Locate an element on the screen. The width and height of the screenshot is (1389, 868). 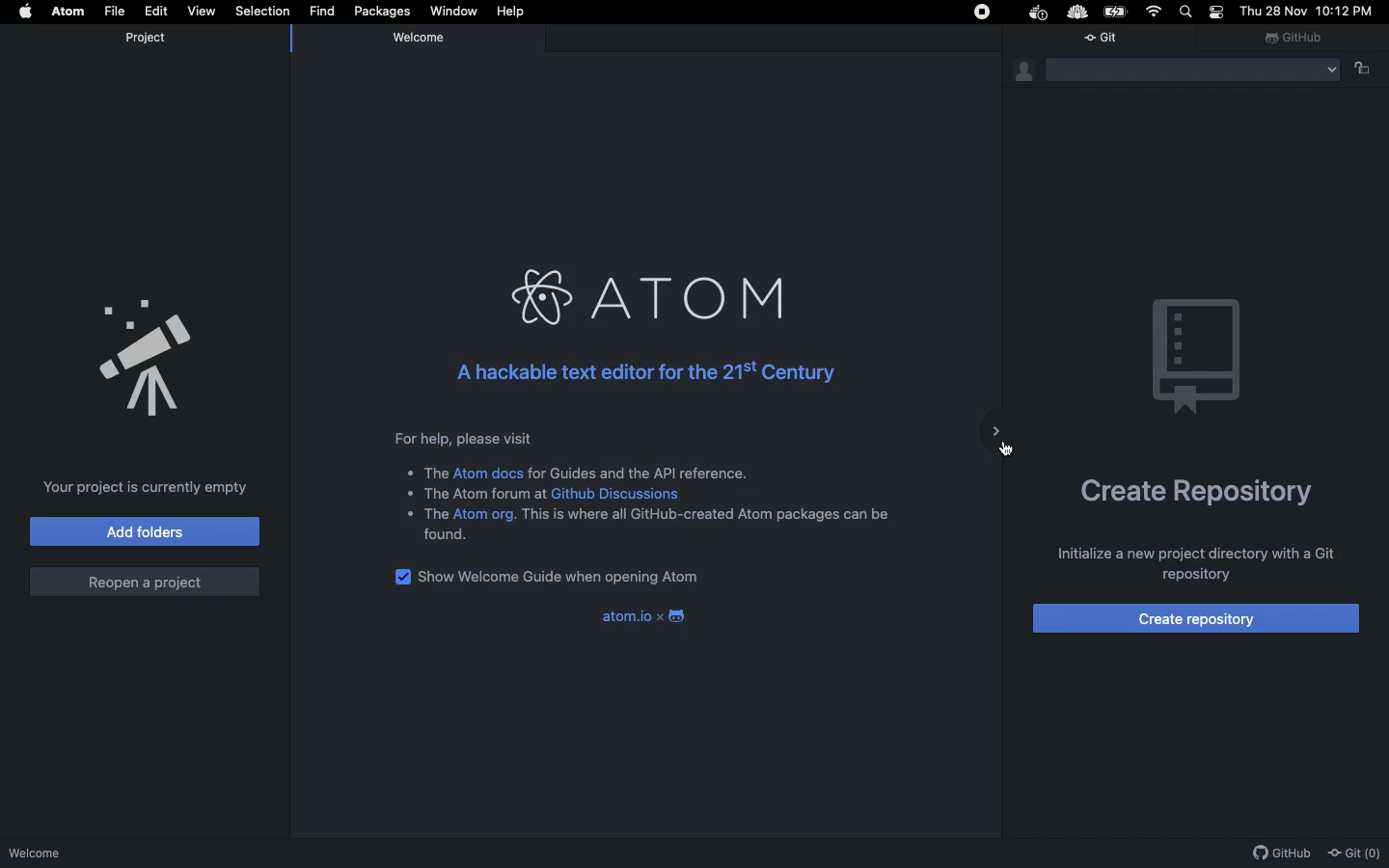
Thu 28 Nov is located at coordinates (1275, 12).